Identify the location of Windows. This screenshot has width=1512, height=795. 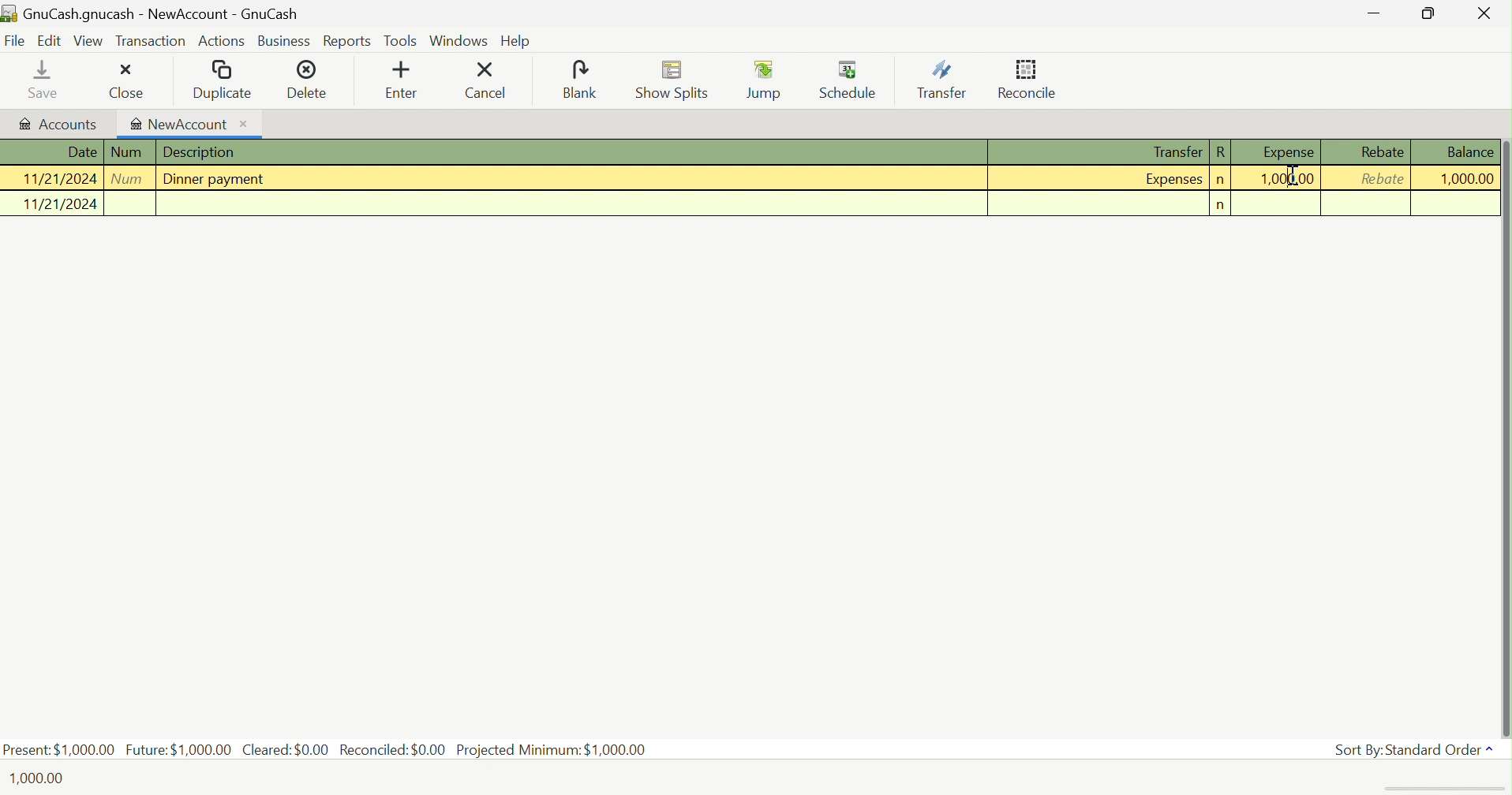
(458, 39).